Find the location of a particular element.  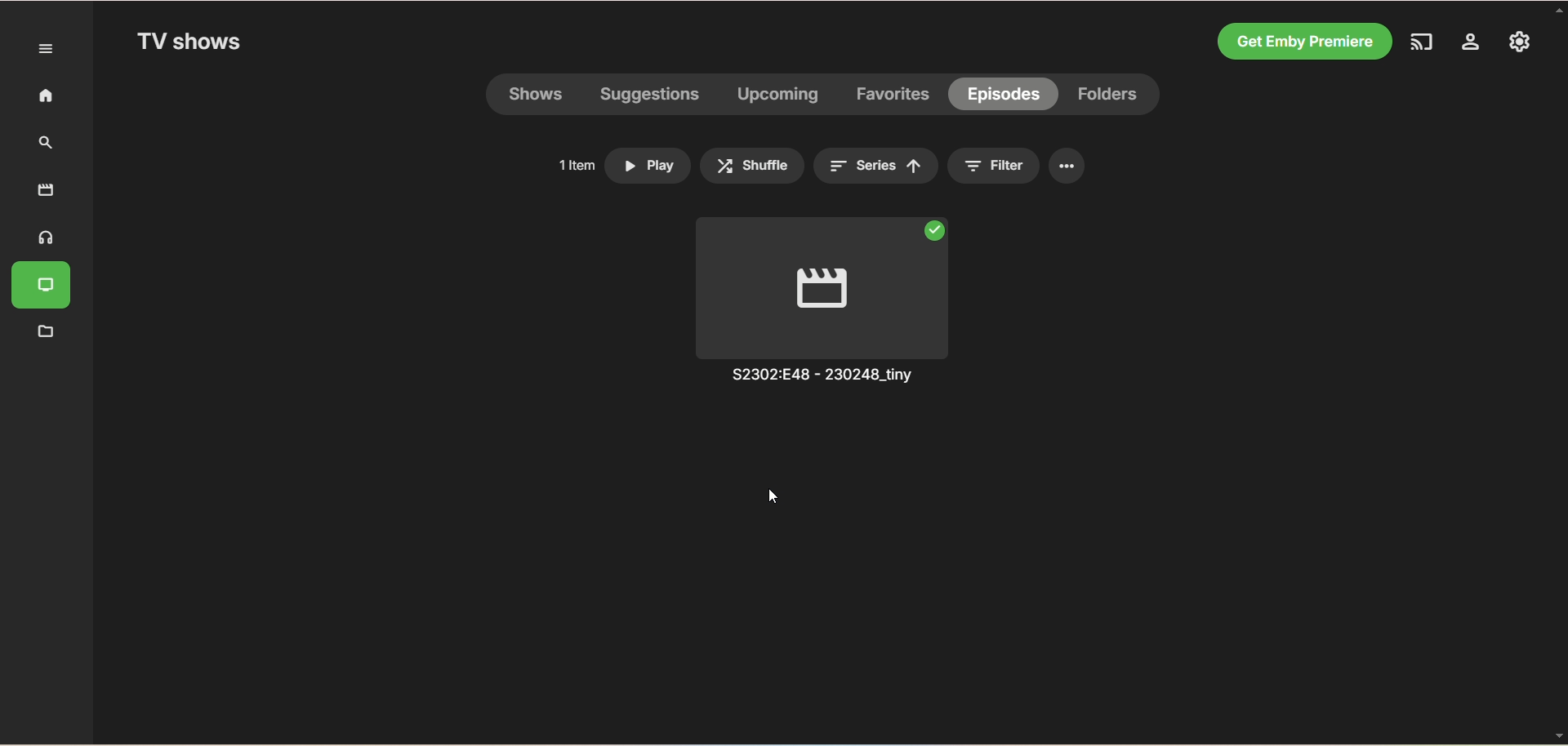

Series is located at coordinates (875, 167).